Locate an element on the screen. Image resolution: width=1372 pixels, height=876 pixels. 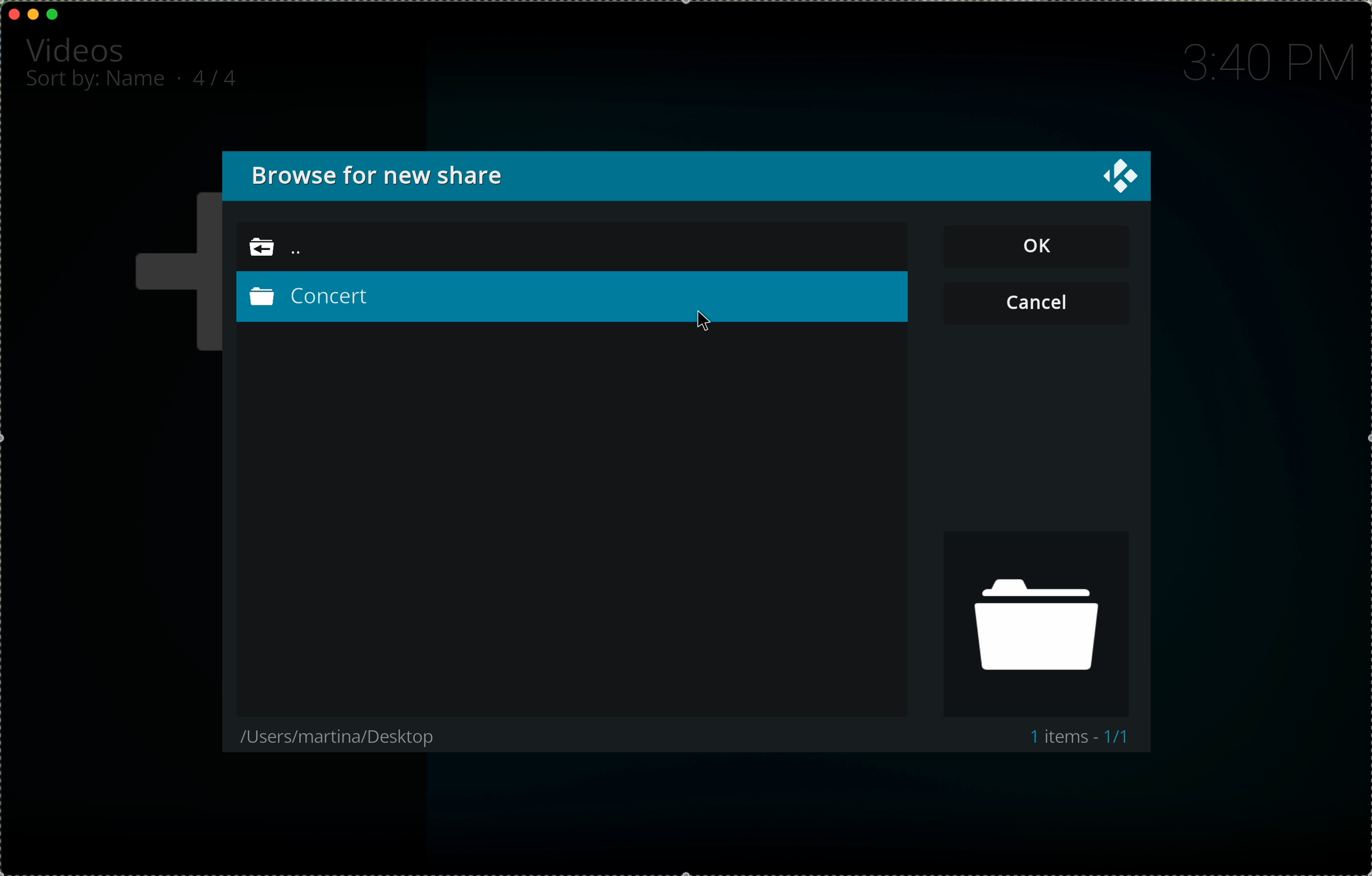
go back is located at coordinates (295, 249).